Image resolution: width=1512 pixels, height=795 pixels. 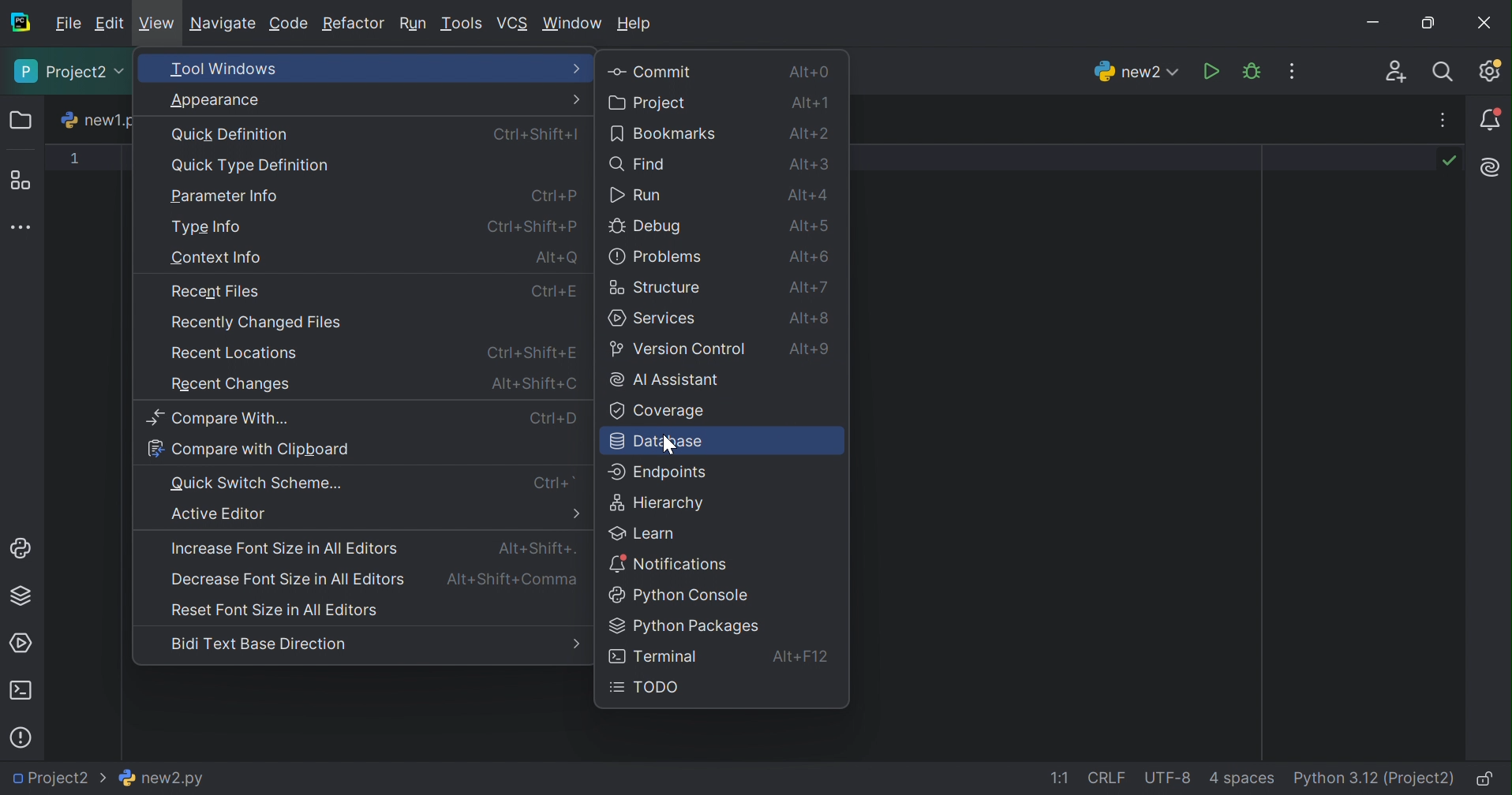 I want to click on Recent files, tab actions, and more, so click(x=1439, y=121).